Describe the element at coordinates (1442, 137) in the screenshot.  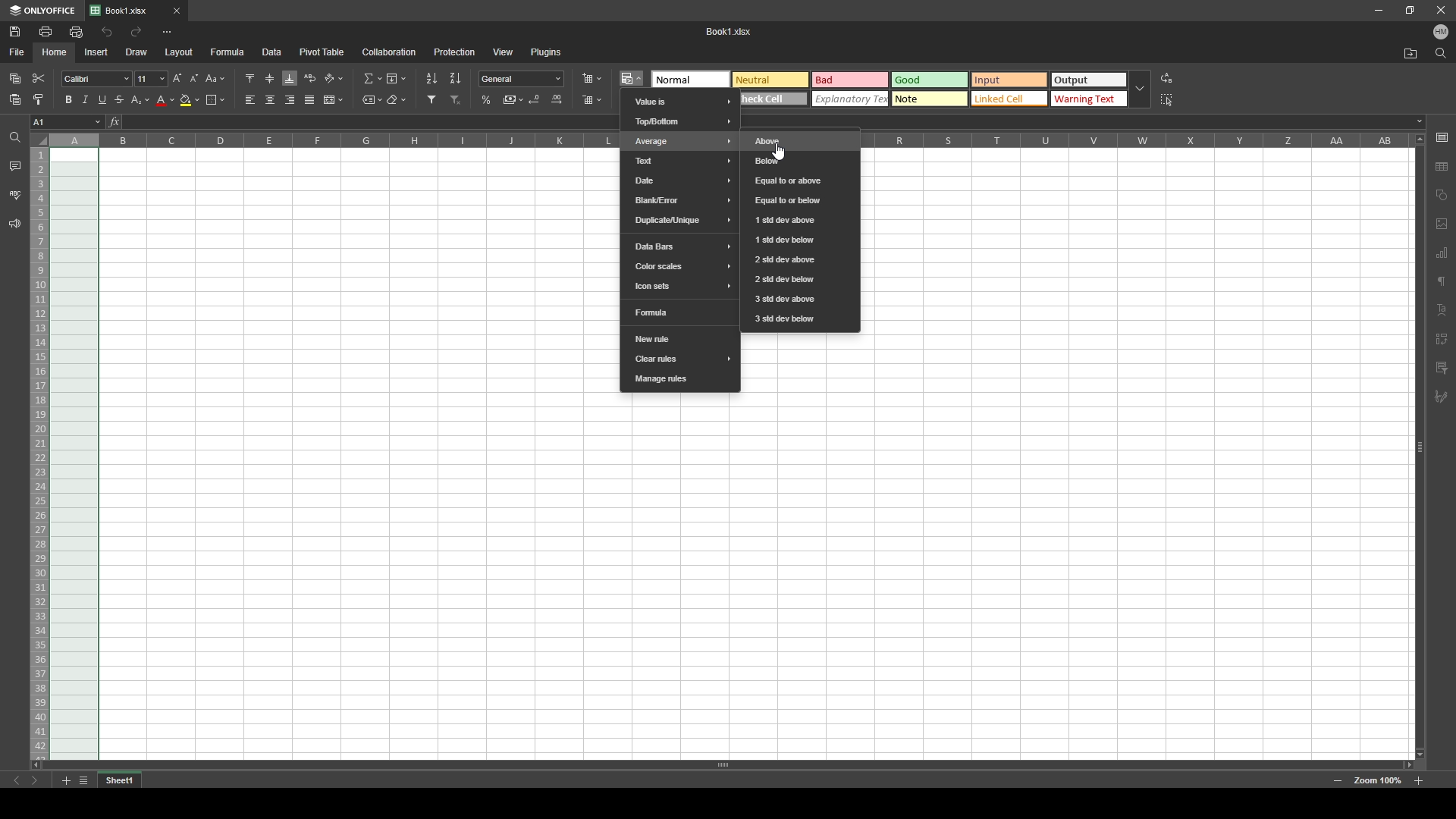
I see `cell setting` at that location.